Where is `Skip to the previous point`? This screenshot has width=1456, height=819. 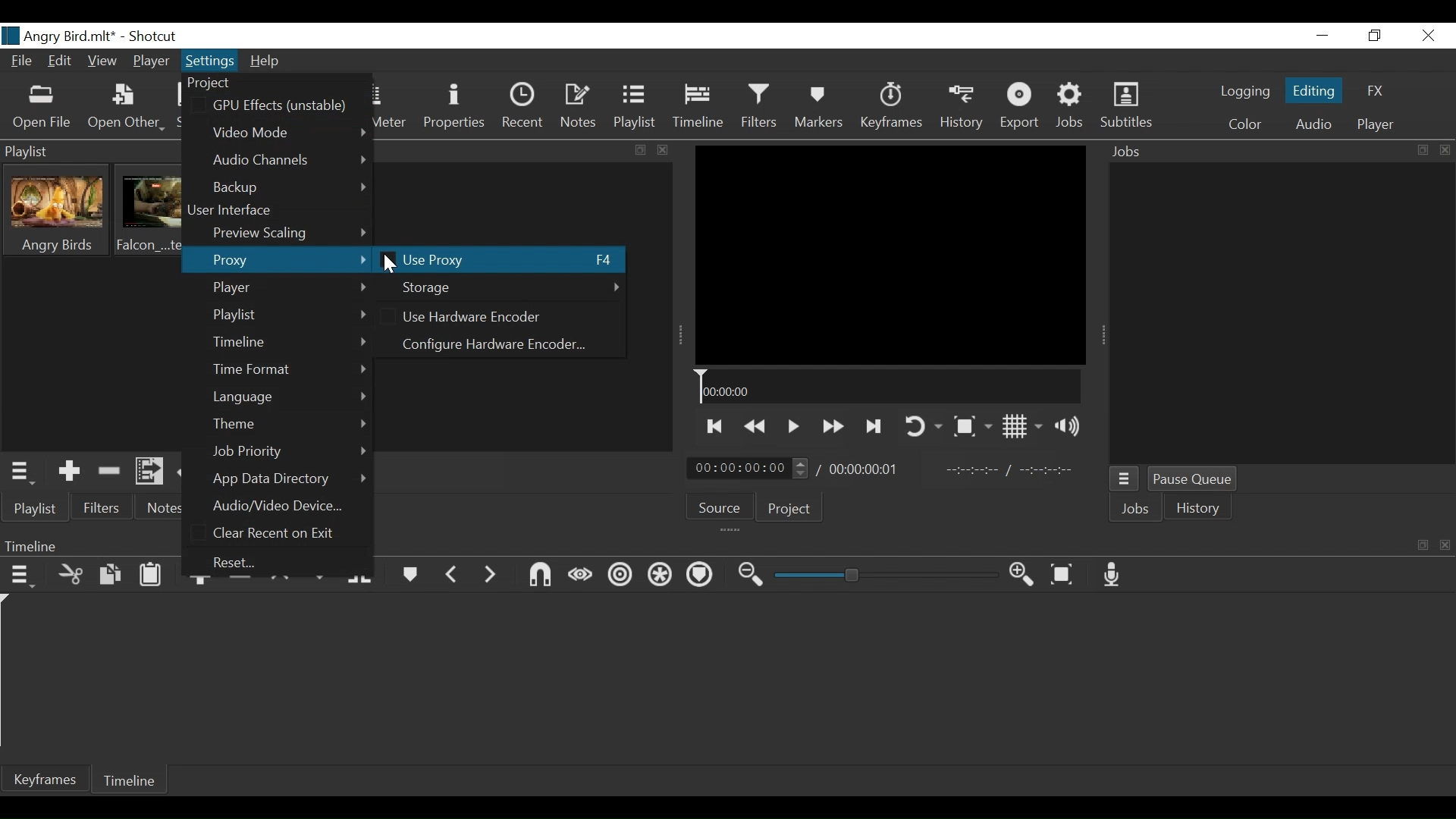 Skip to the previous point is located at coordinates (716, 428).